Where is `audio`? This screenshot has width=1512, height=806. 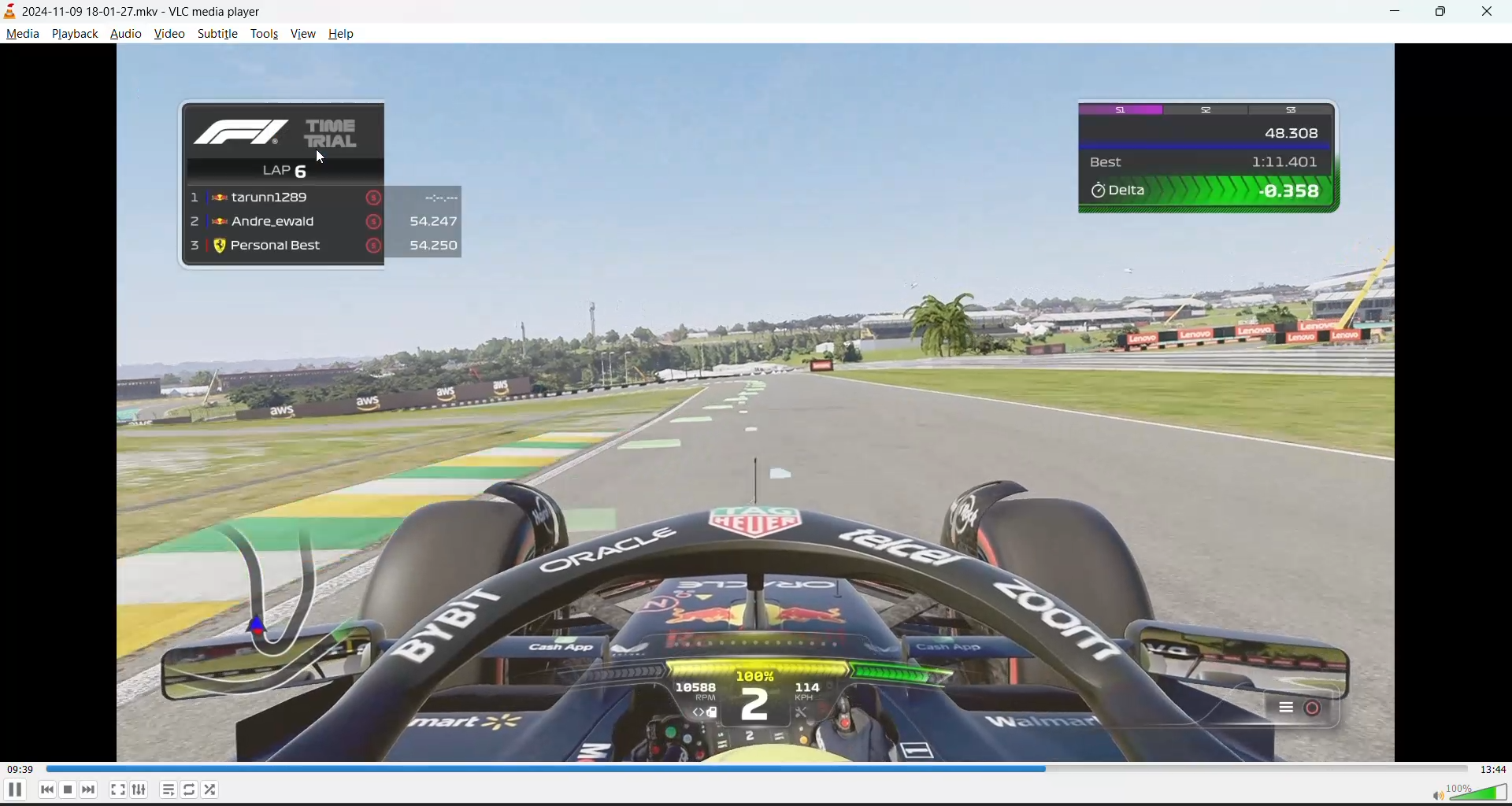
audio is located at coordinates (126, 36).